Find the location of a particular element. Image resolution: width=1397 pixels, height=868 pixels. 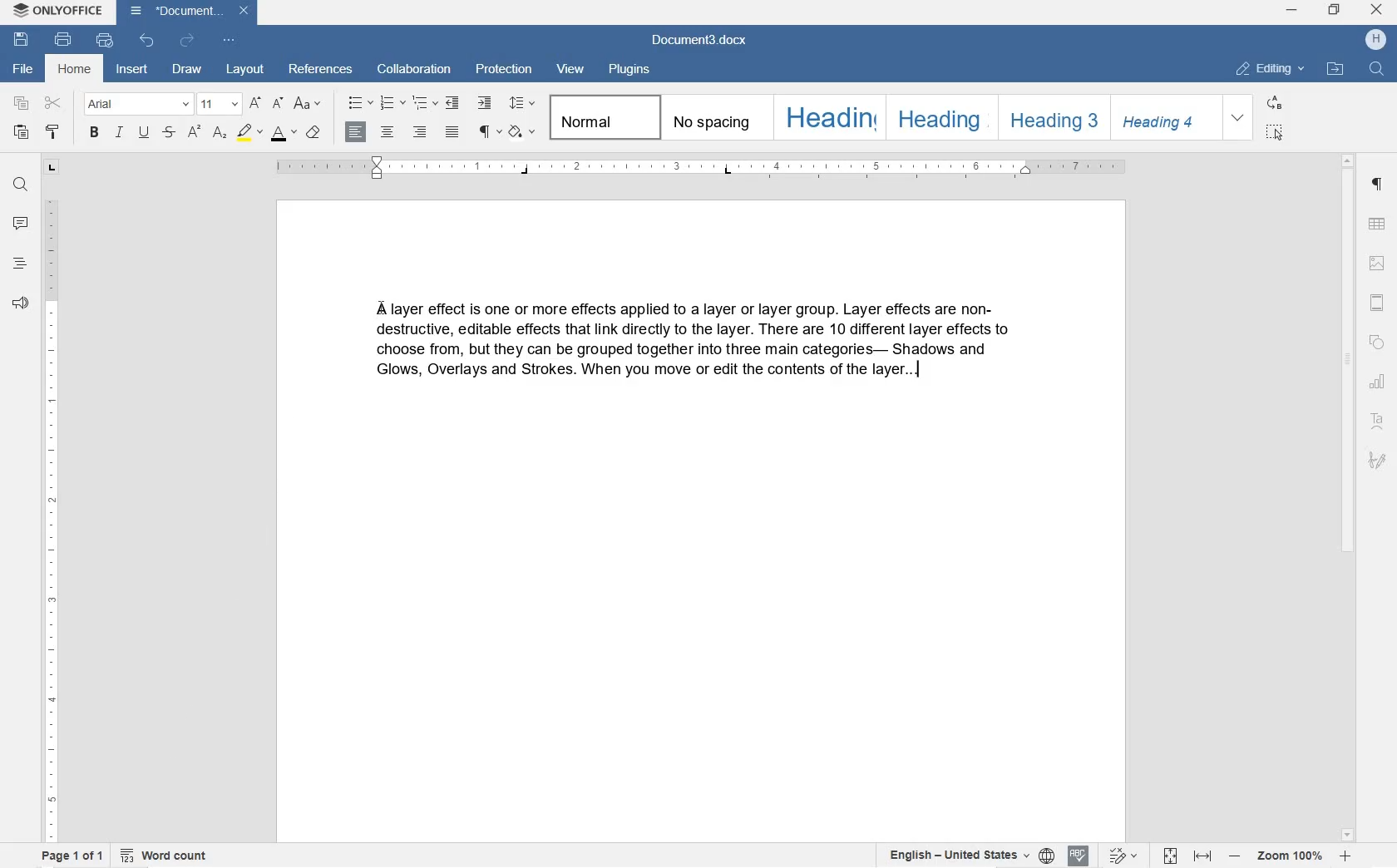

REPLACE is located at coordinates (1272, 101).